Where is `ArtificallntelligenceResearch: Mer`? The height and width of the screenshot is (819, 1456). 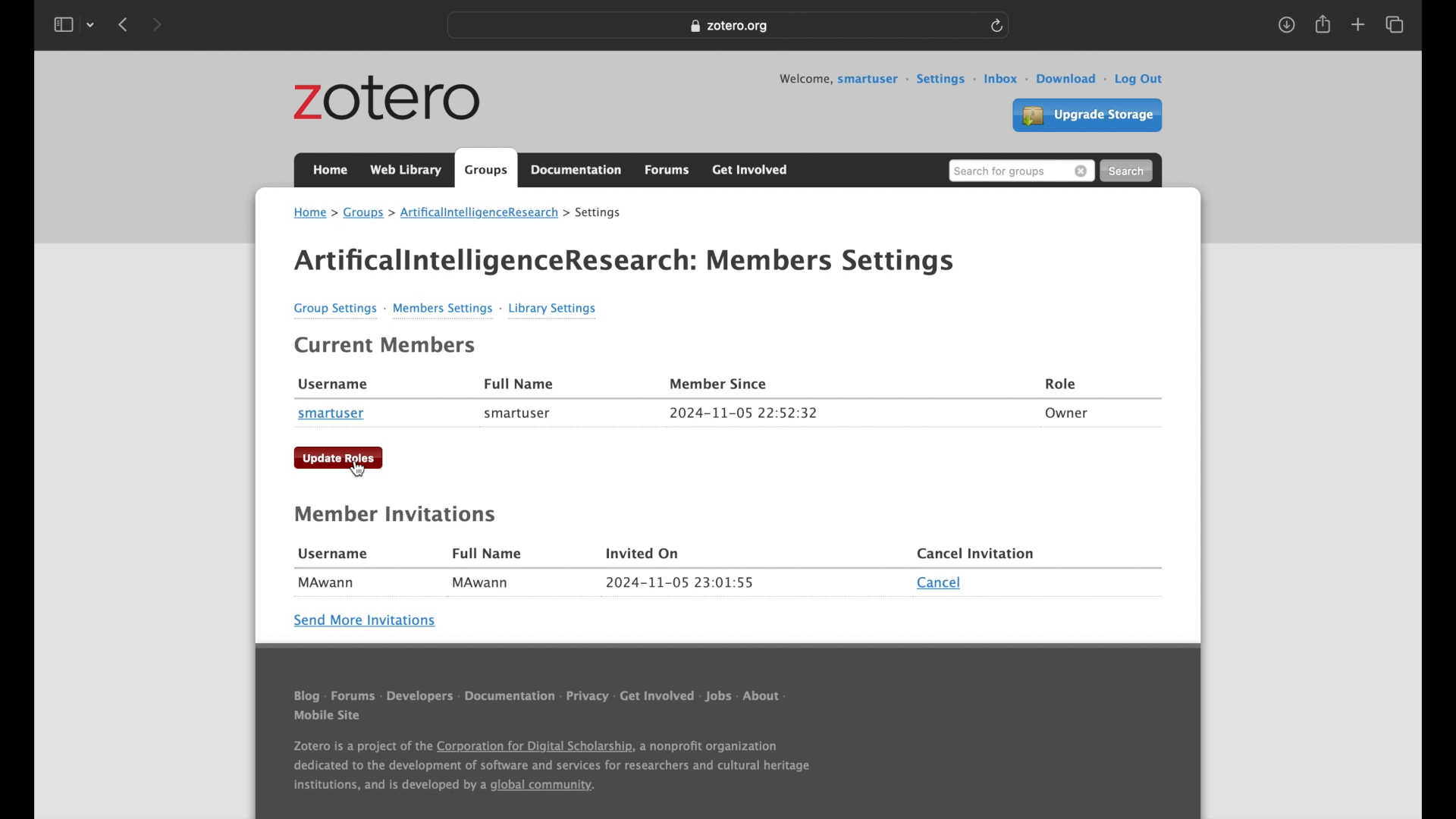 ArtificallntelligenceResearch: Mer is located at coordinates (676, 264).